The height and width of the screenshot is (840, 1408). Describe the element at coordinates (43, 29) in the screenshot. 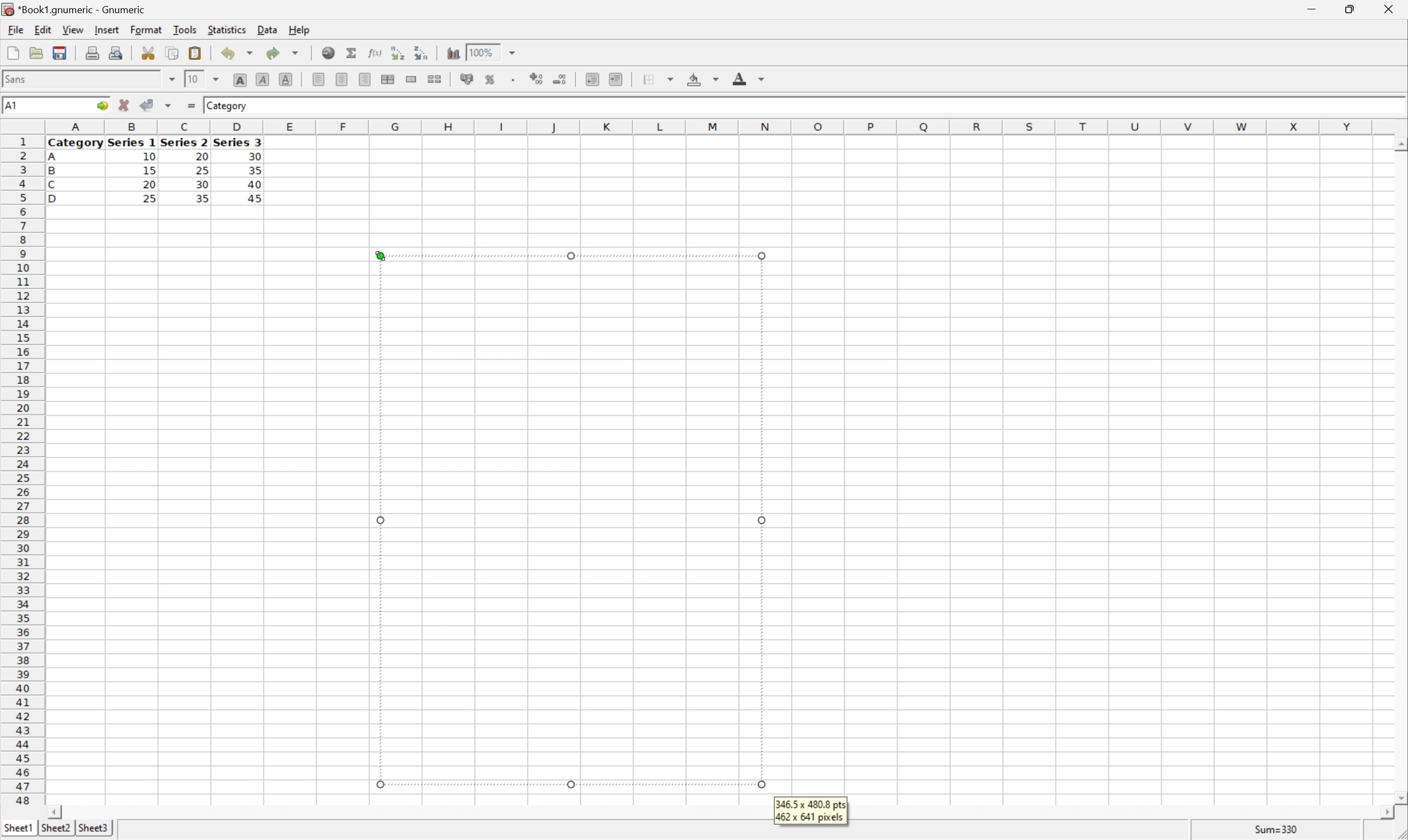

I see `Edit` at that location.